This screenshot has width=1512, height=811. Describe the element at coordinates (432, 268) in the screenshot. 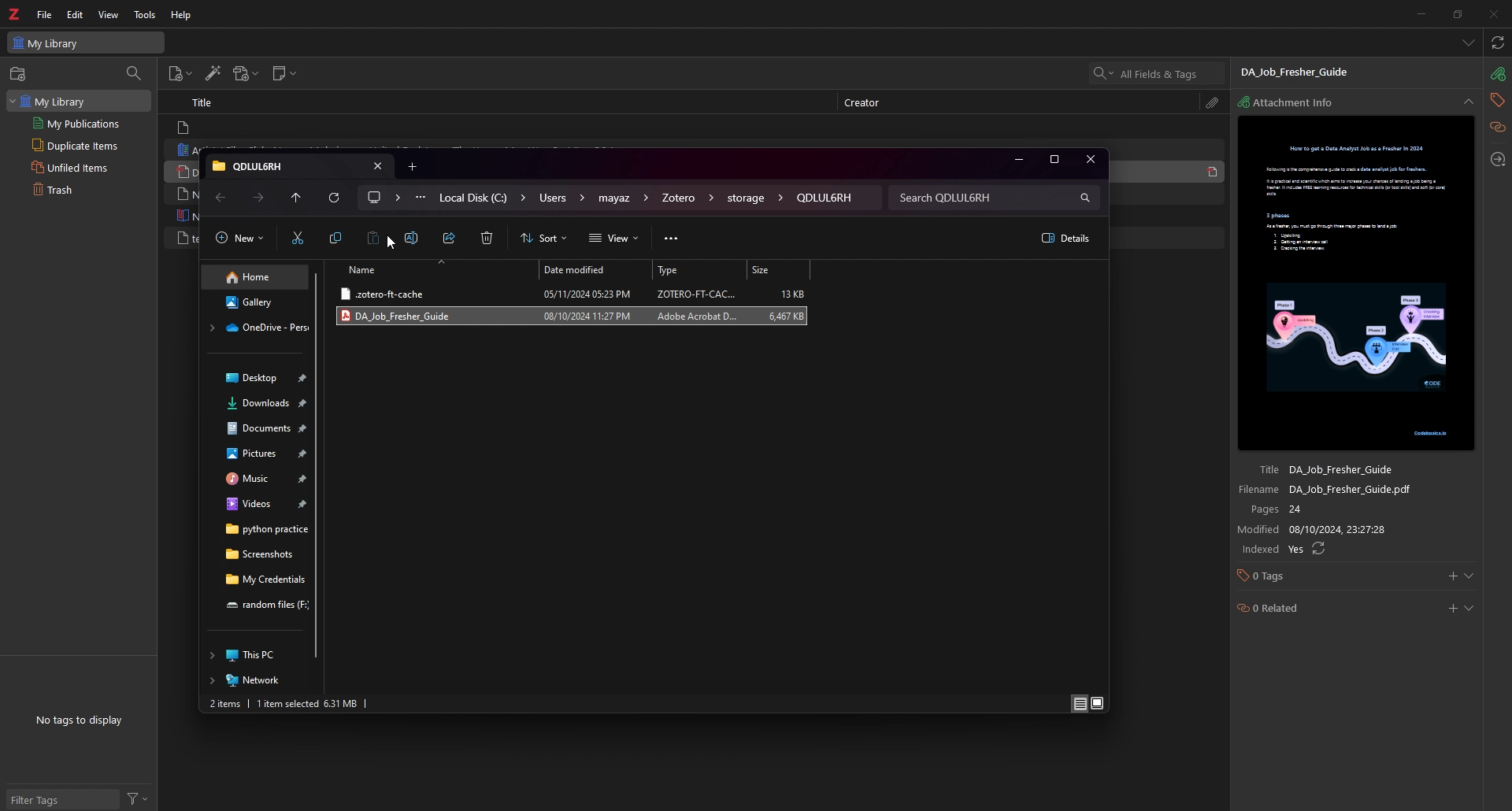

I see `name` at that location.